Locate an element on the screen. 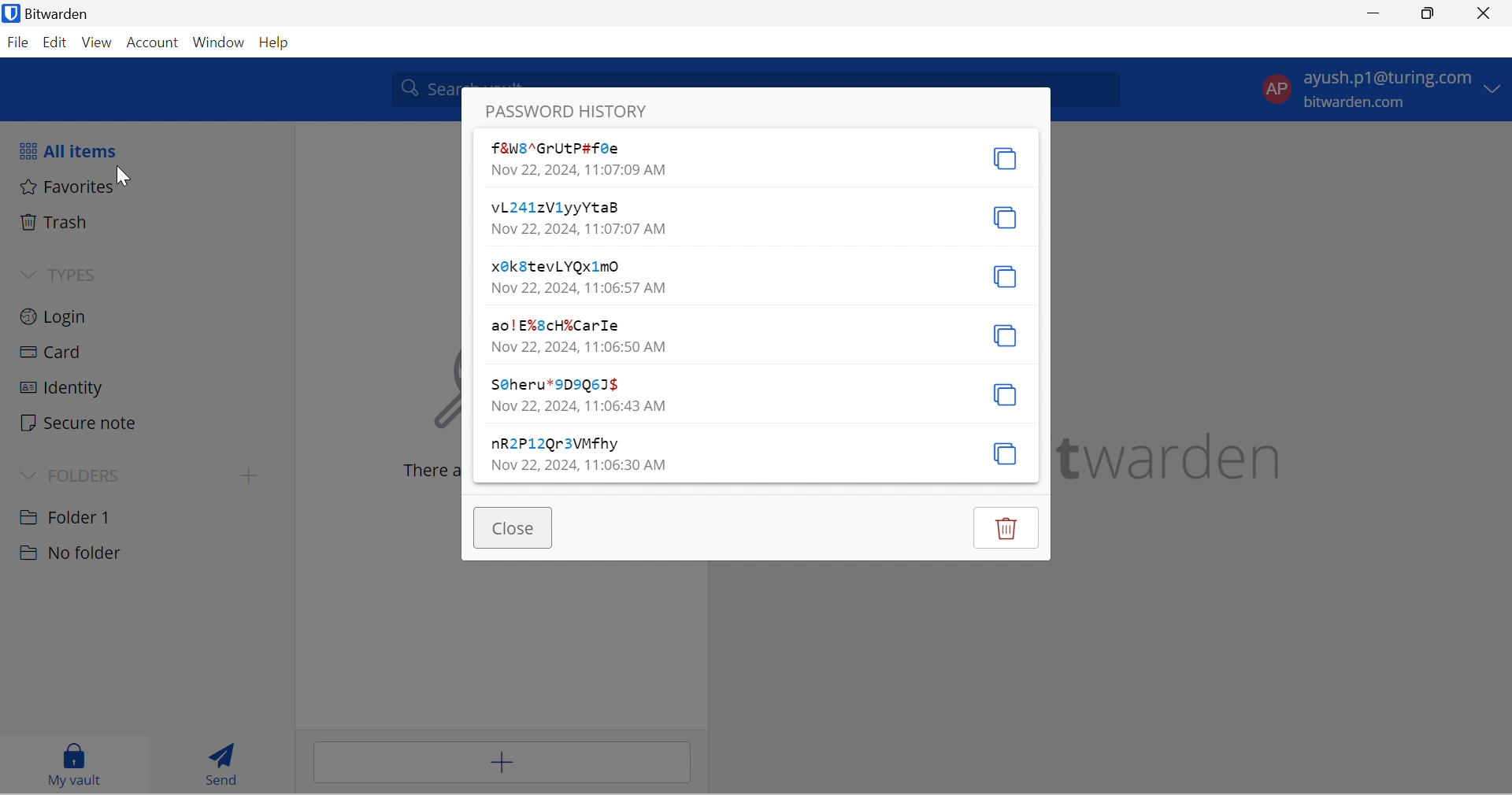  nR2P12Qr3VMfhy is located at coordinates (556, 445).